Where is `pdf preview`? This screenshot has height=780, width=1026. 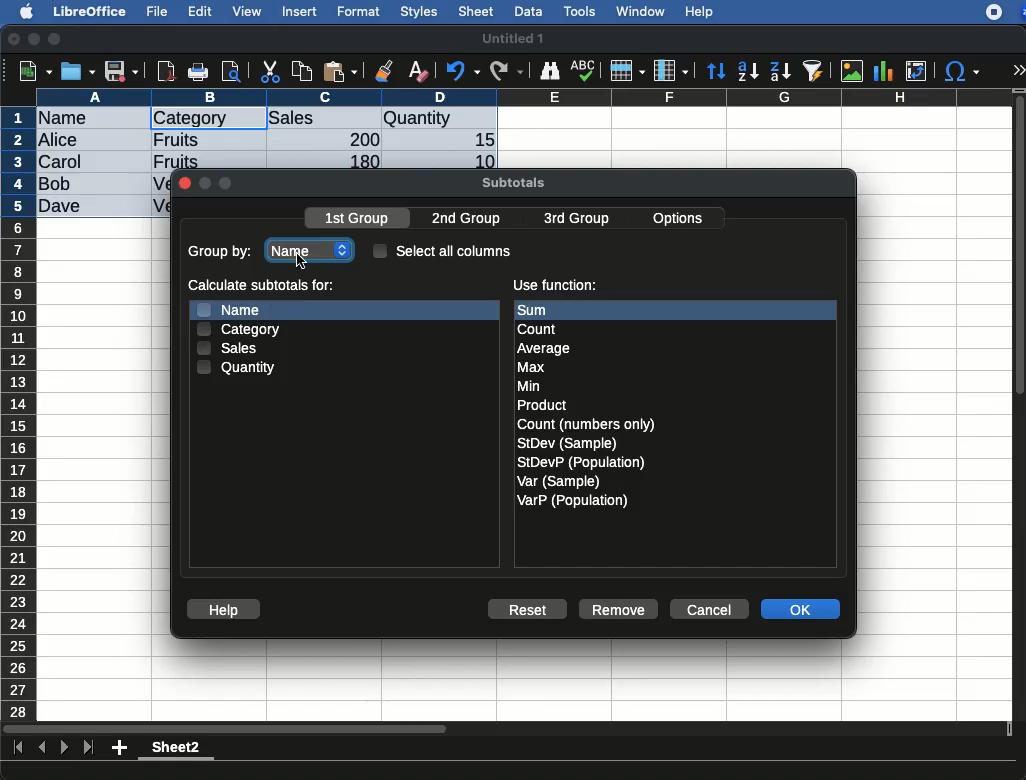 pdf preview is located at coordinates (167, 71).